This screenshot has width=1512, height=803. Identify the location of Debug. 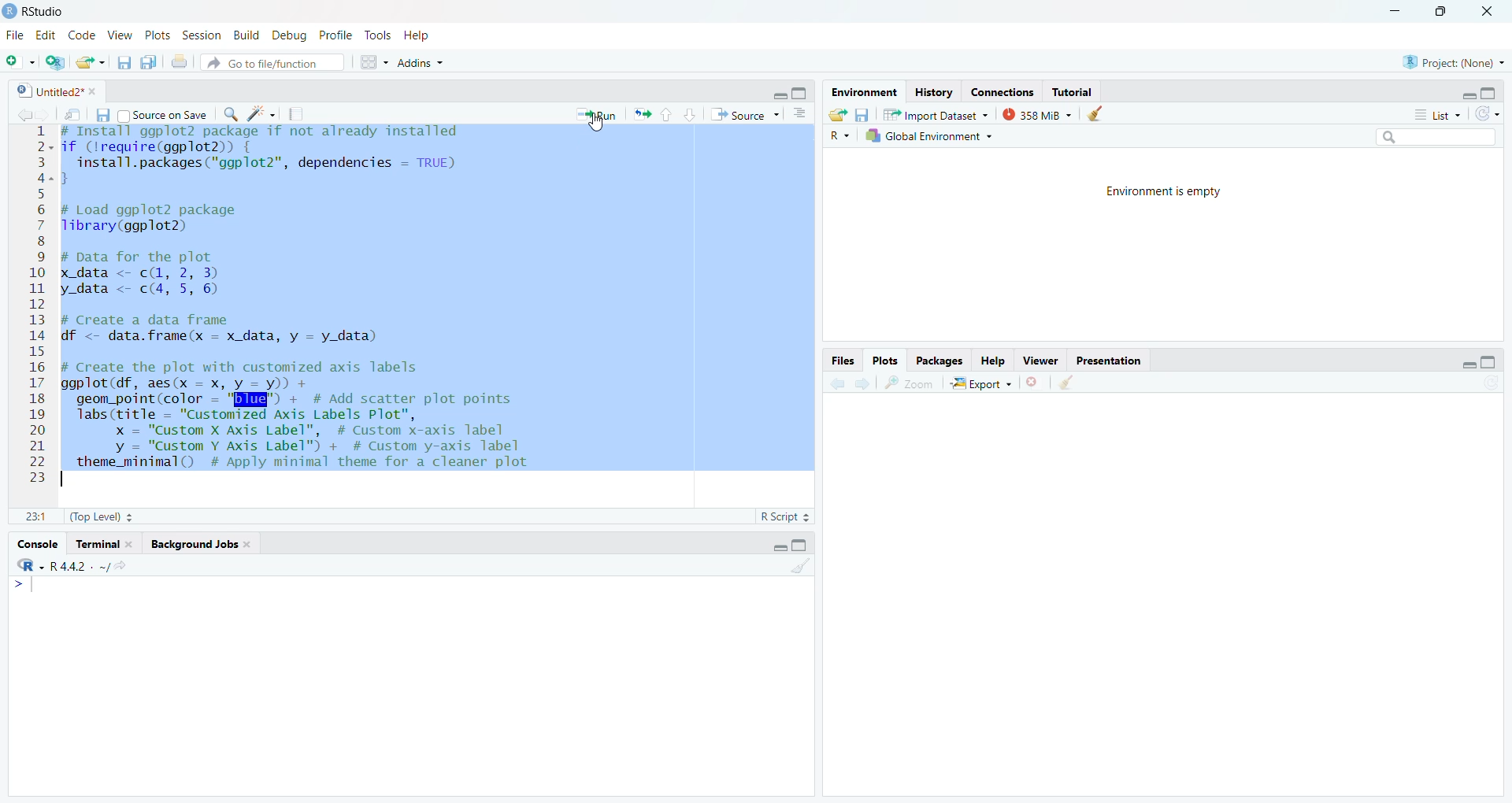
(291, 35).